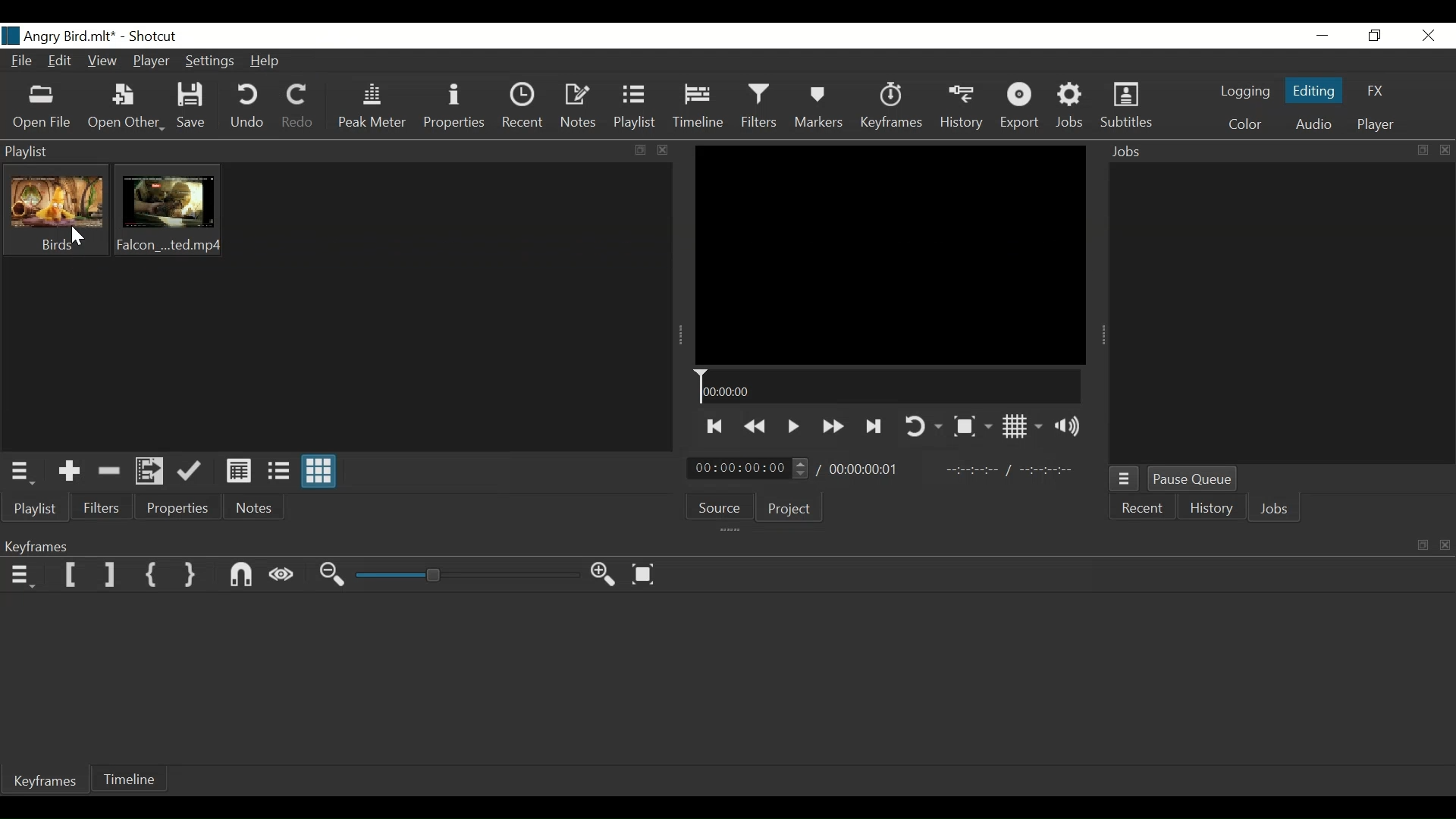 The height and width of the screenshot is (819, 1456). I want to click on Remove cut, so click(110, 472).